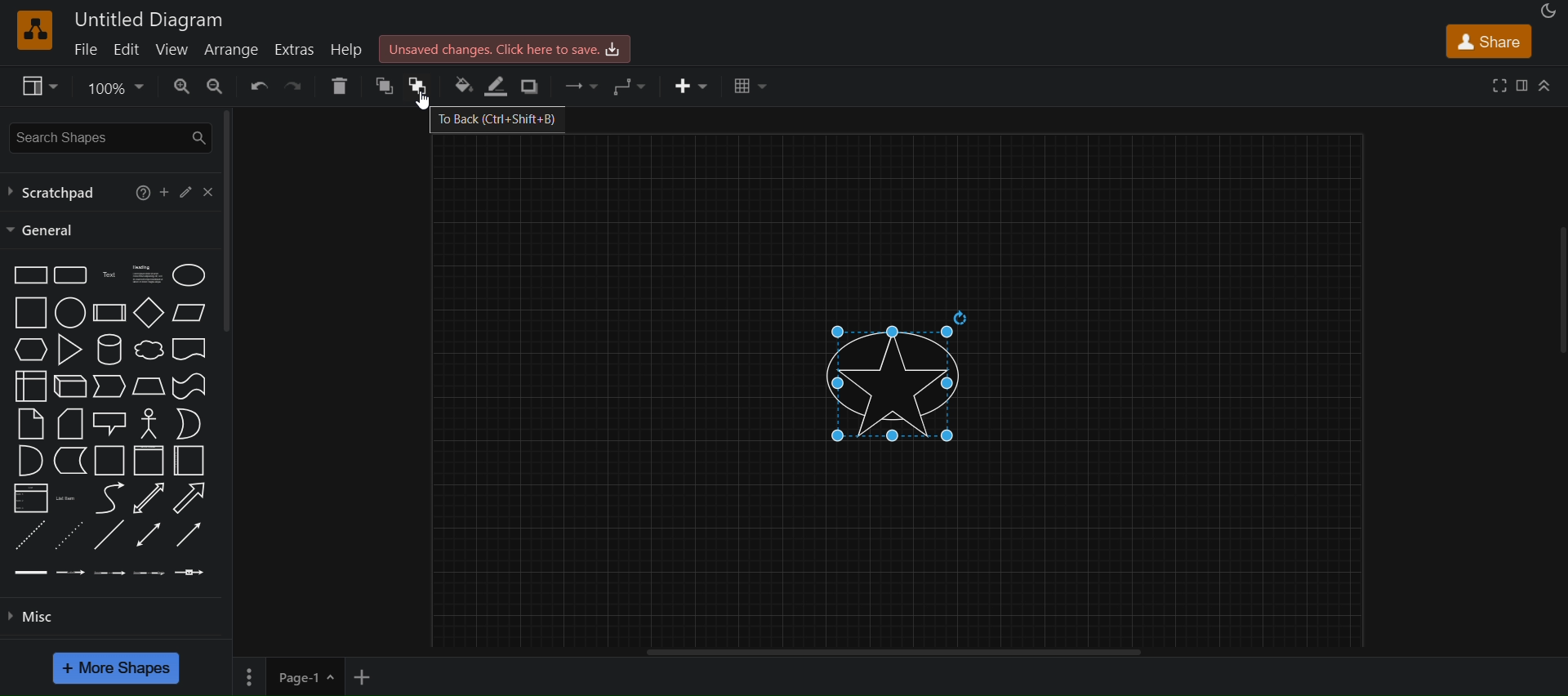  Describe the element at coordinates (898, 655) in the screenshot. I see `horizontal scroll bar` at that location.